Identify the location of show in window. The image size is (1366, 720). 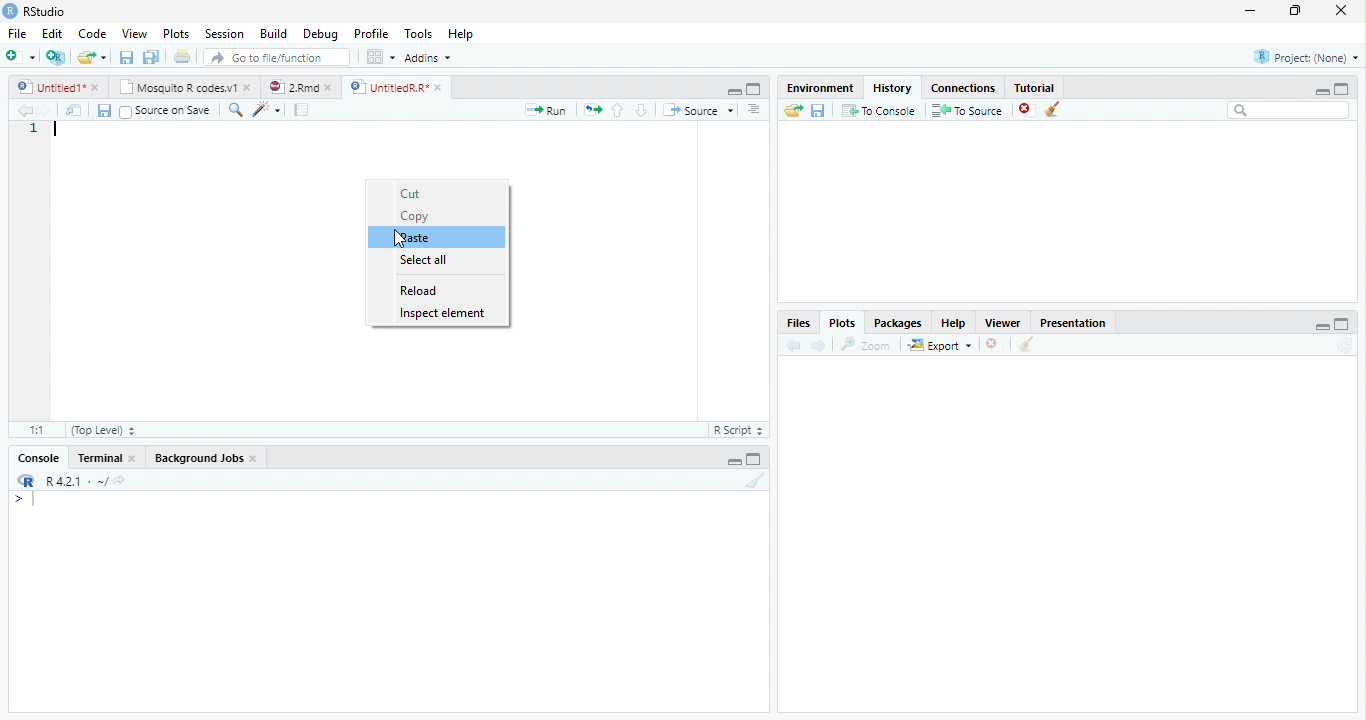
(75, 111).